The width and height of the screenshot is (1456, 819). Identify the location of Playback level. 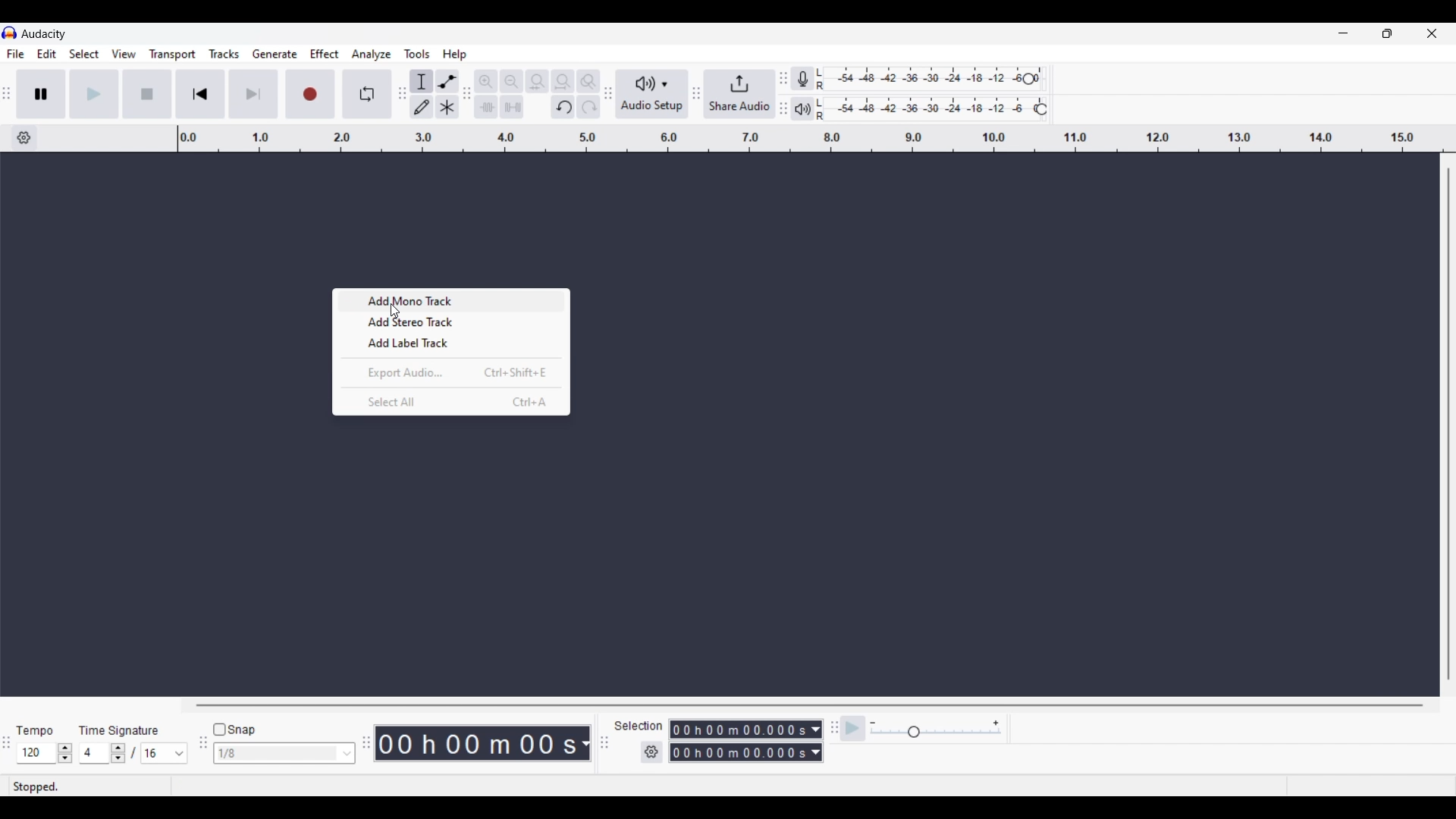
(935, 109).